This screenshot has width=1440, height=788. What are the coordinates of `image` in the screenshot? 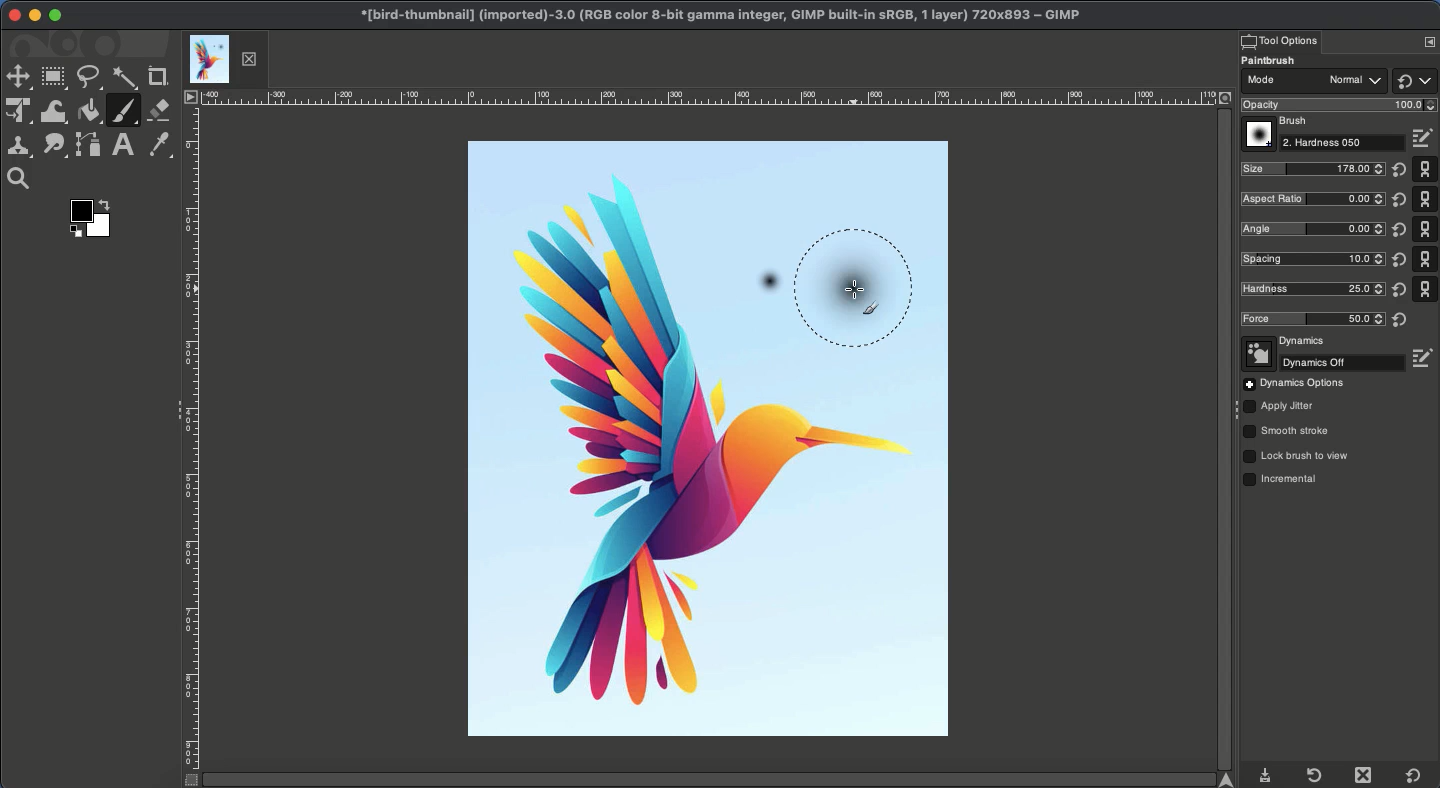 It's located at (626, 244).